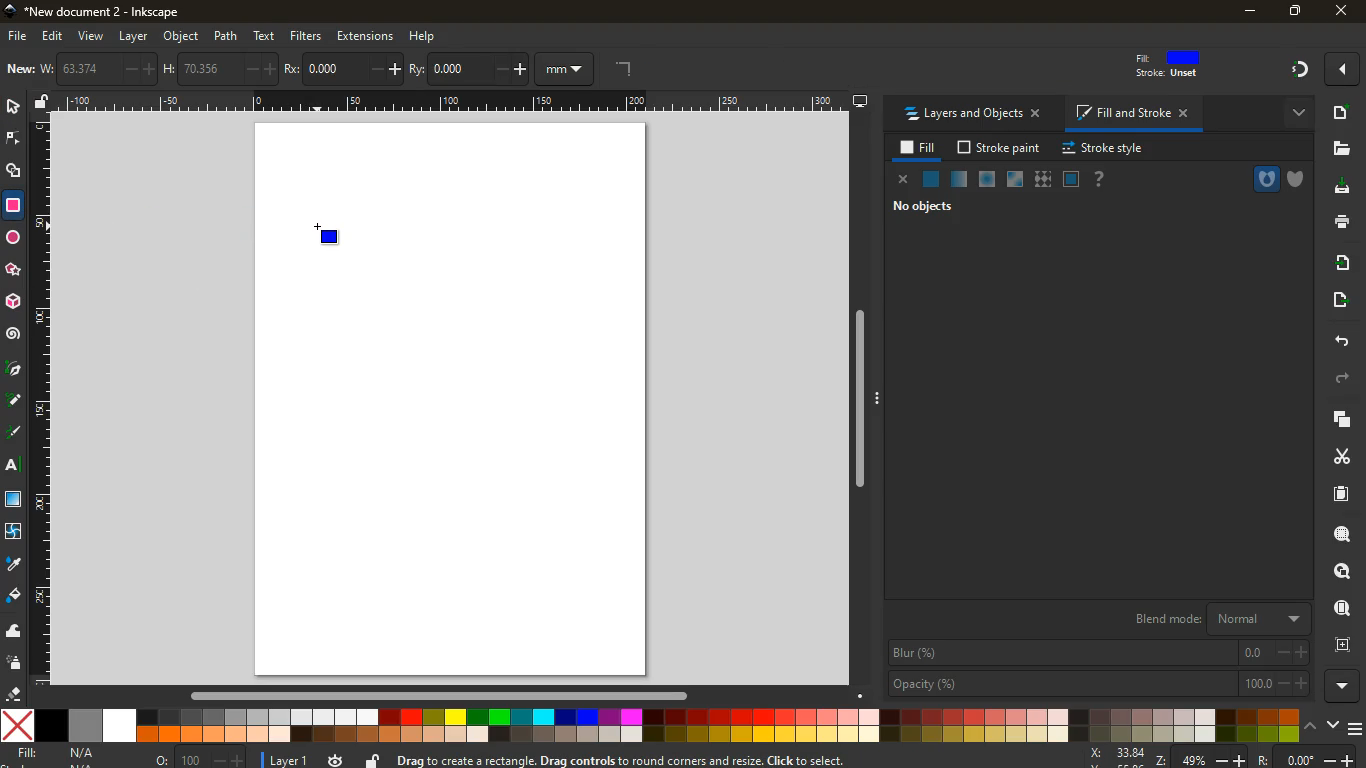 The width and height of the screenshot is (1366, 768). I want to click on unlock, so click(374, 760).